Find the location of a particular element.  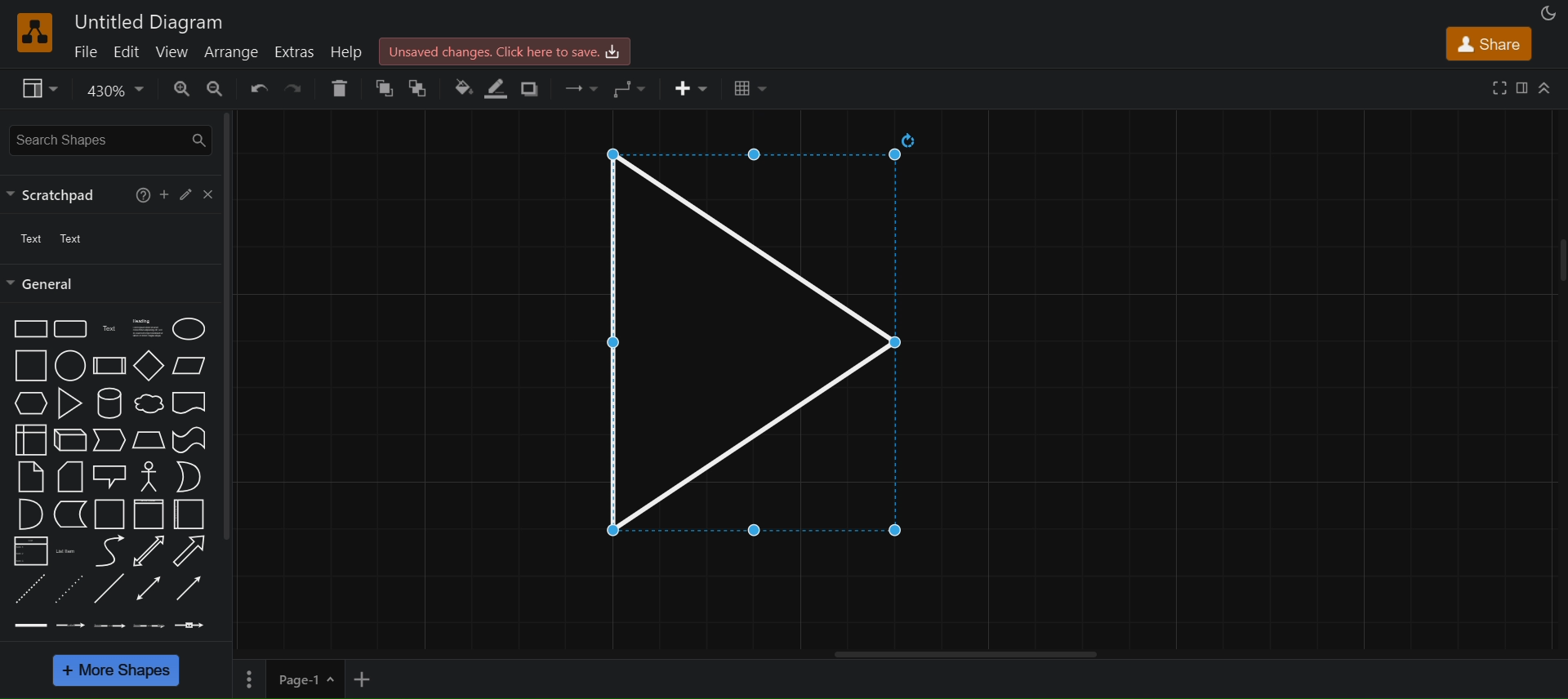

fill color is located at coordinates (461, 84).